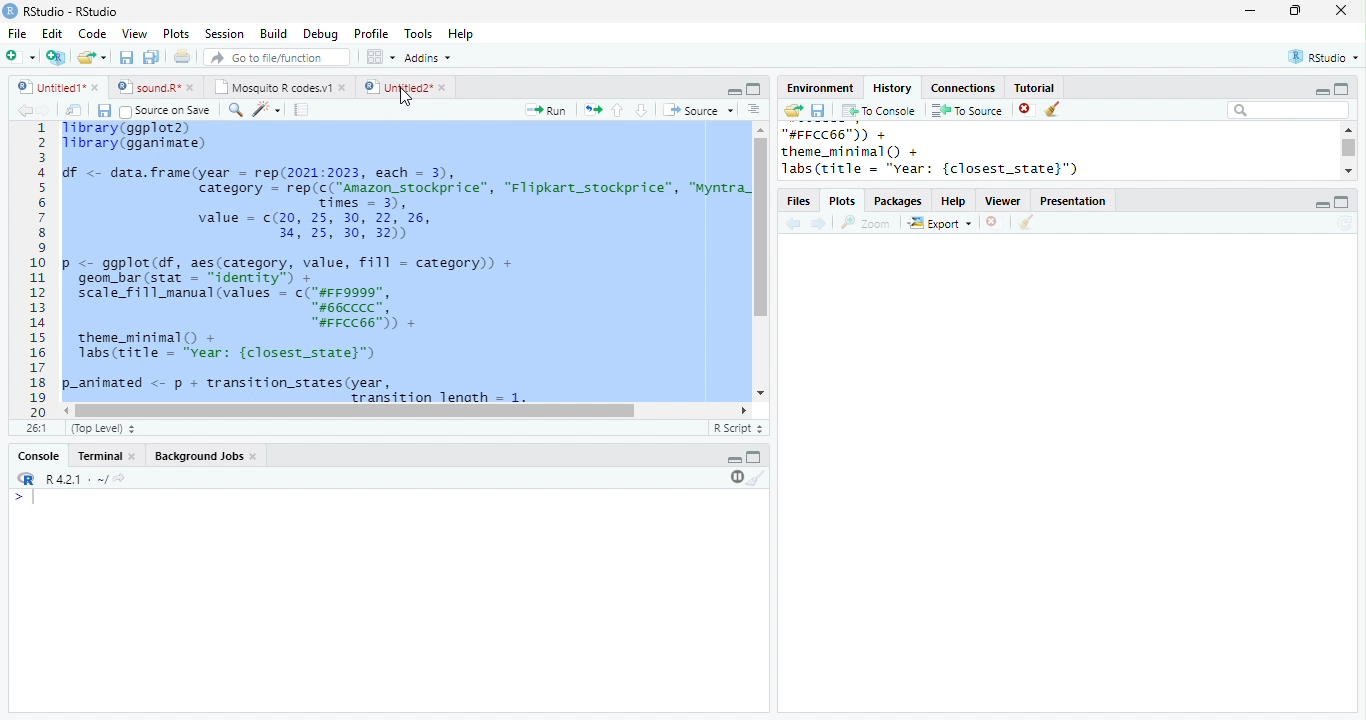 This screenshot has height=720, width=1366. I want to click on Source on Save, so click(165, 111).